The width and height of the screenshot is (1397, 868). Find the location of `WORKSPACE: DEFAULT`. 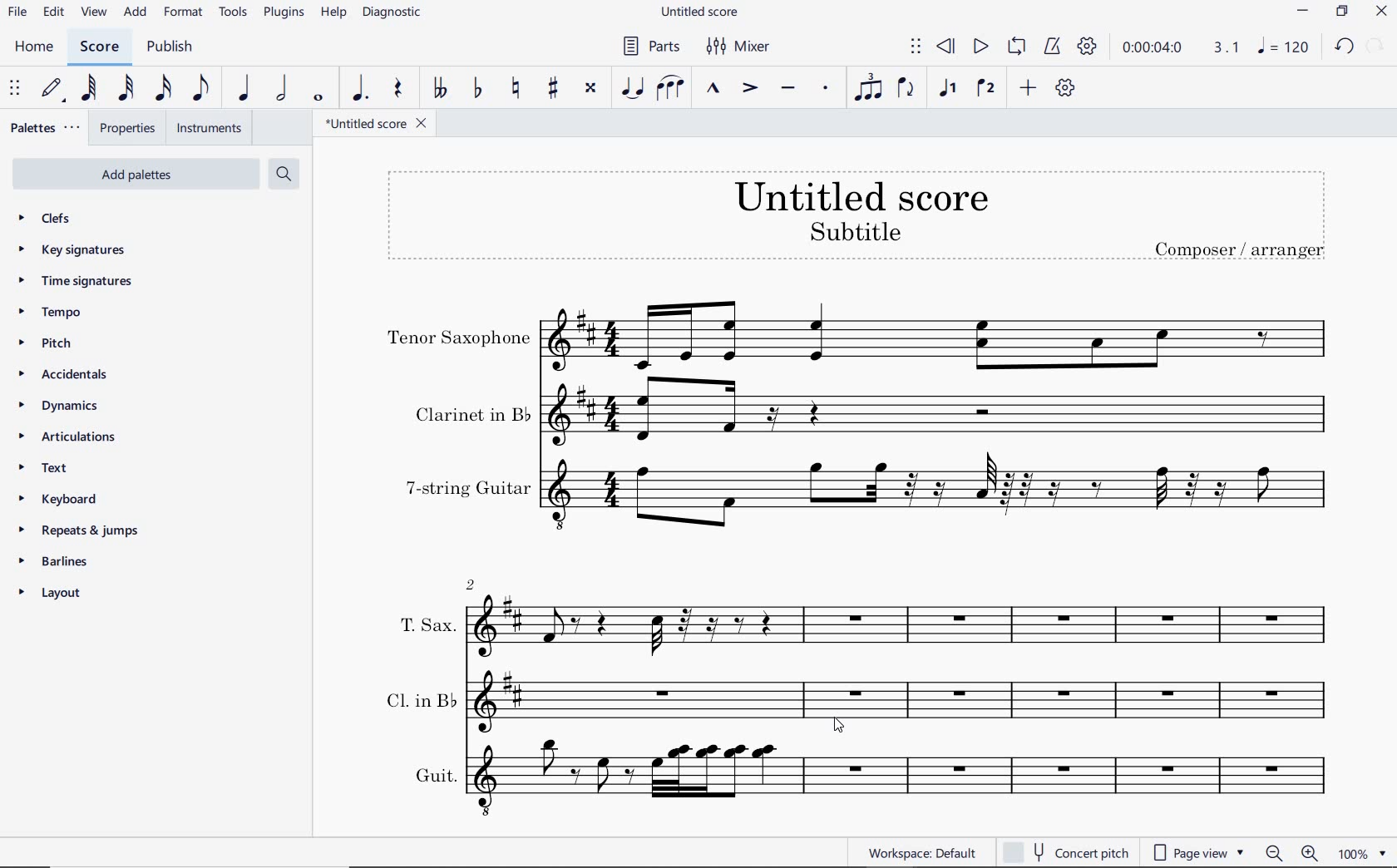

WORKSPACE: DEFAULT is located at coordinates (903, 852).